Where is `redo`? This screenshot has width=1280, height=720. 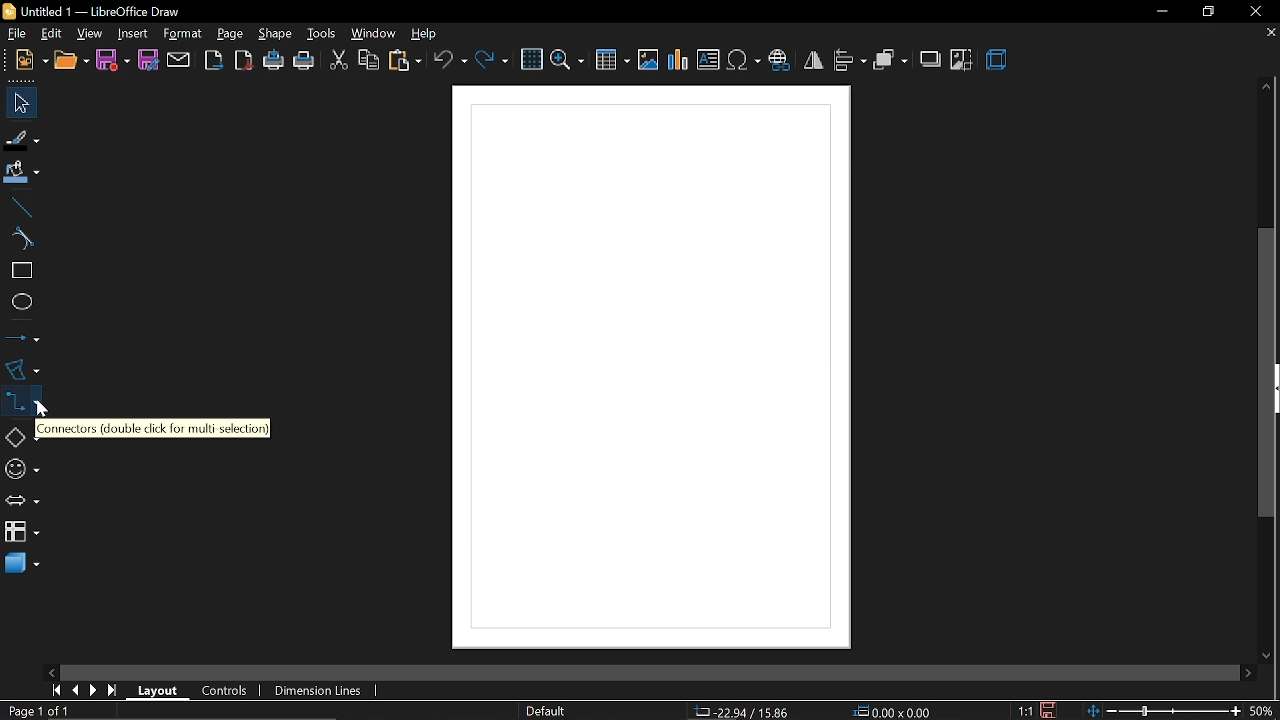
redo is located at coordinates (492, 62).